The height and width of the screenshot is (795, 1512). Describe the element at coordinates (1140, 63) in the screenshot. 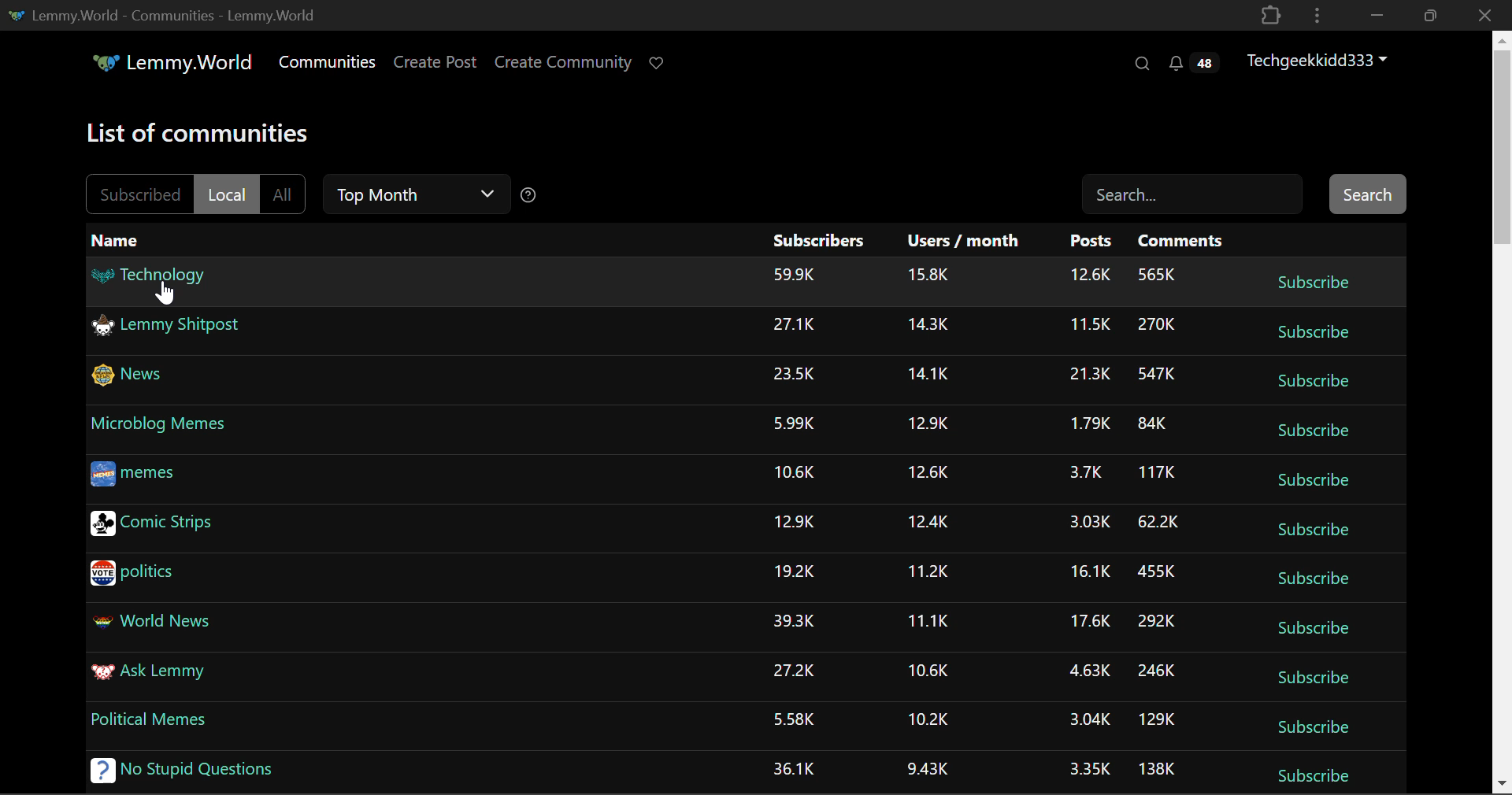

I see `Search ` at that location.